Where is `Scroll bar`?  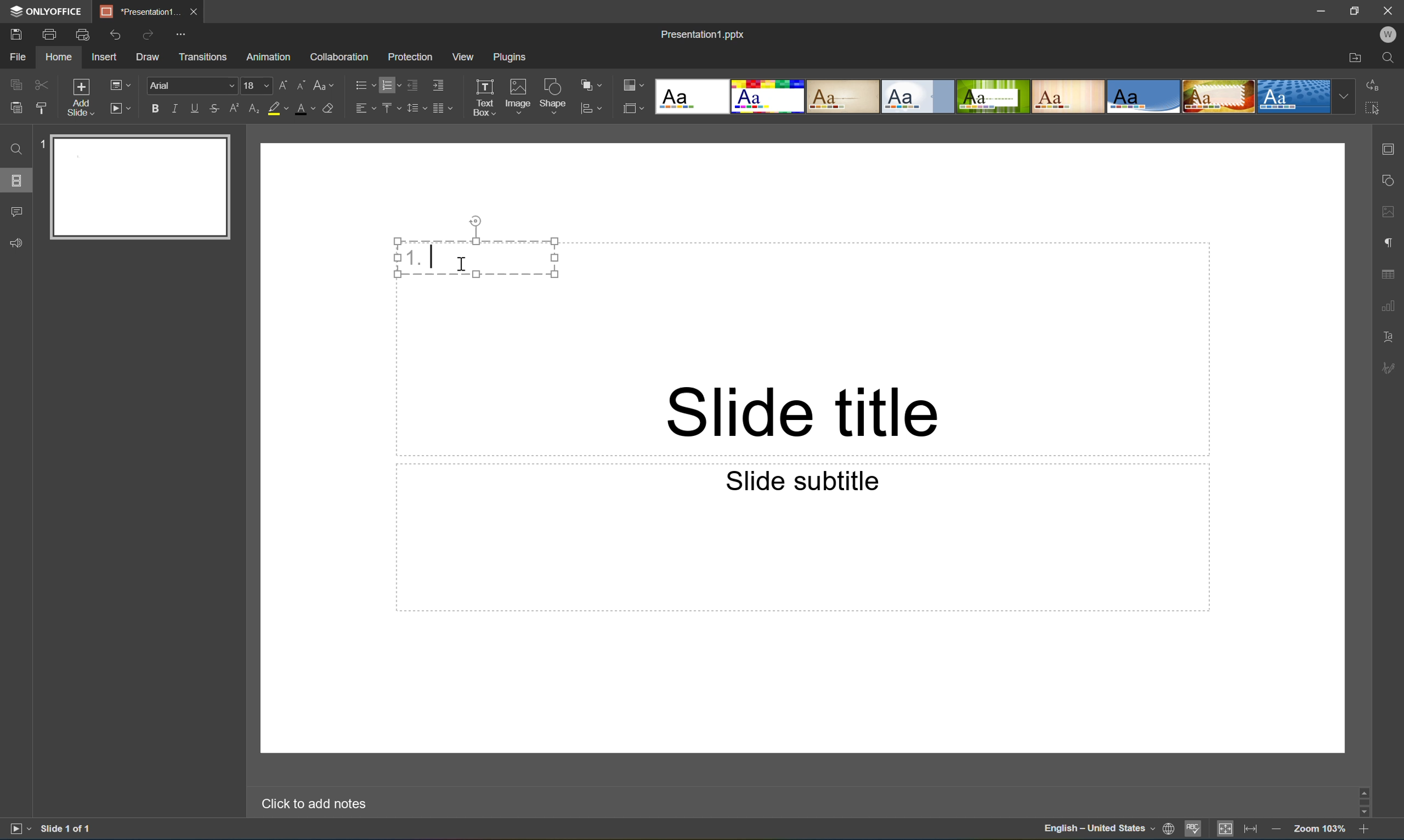
Scroll bar is located at coordinates (1366, 800).